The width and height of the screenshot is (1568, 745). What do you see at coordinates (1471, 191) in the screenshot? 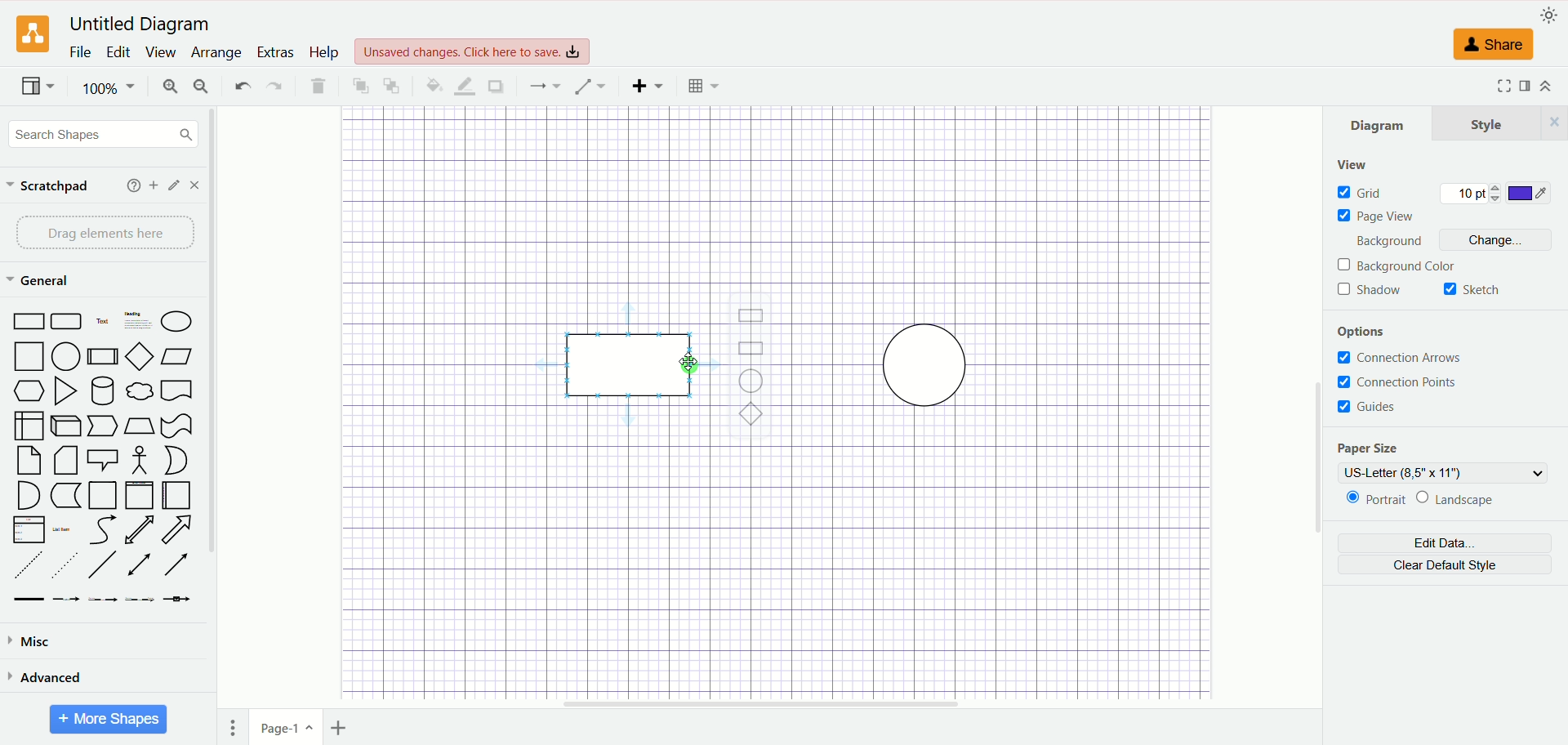
I see `10 pt` at bounding box center [1471, 191].